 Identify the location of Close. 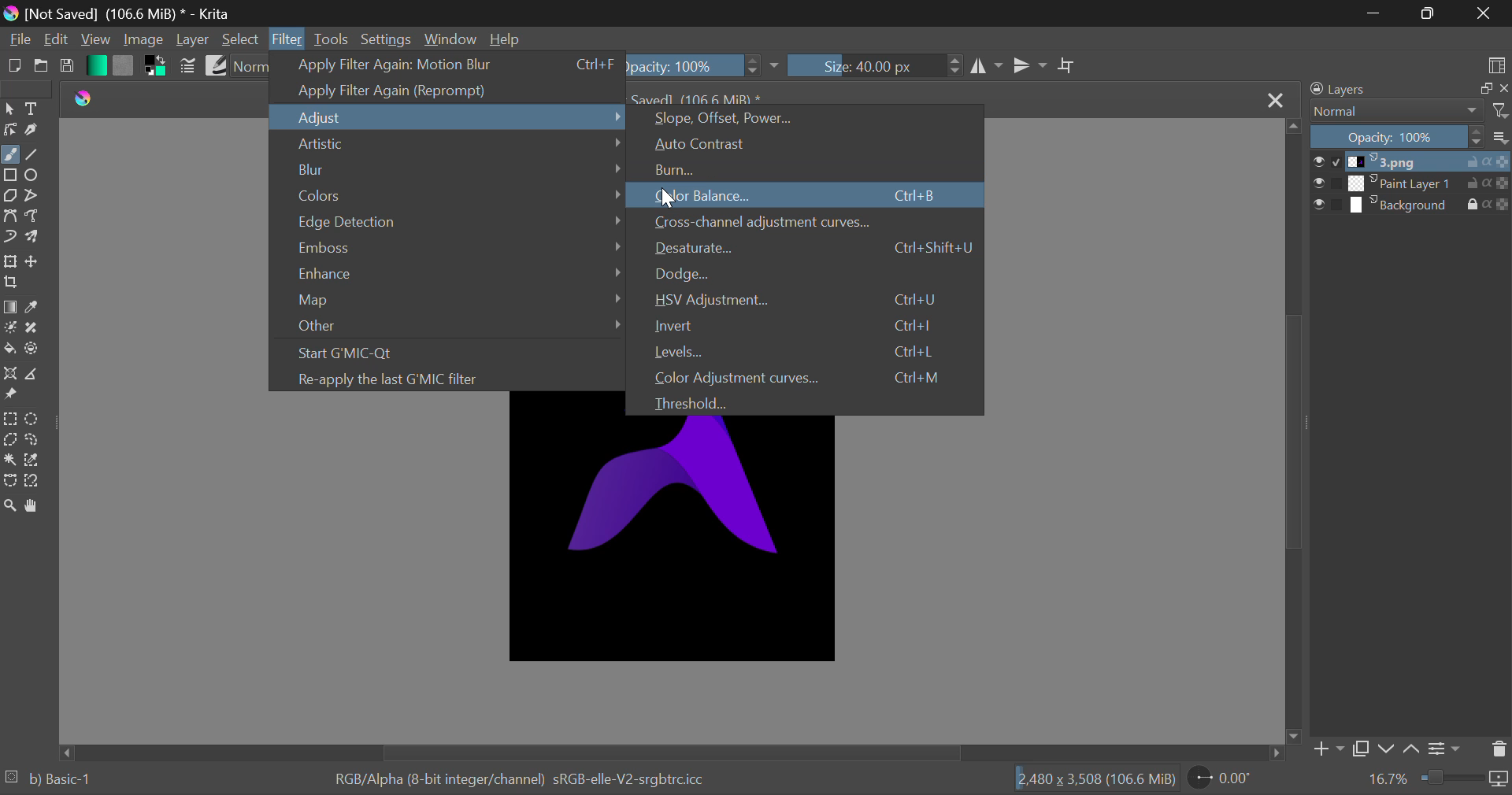
(1276, 98).